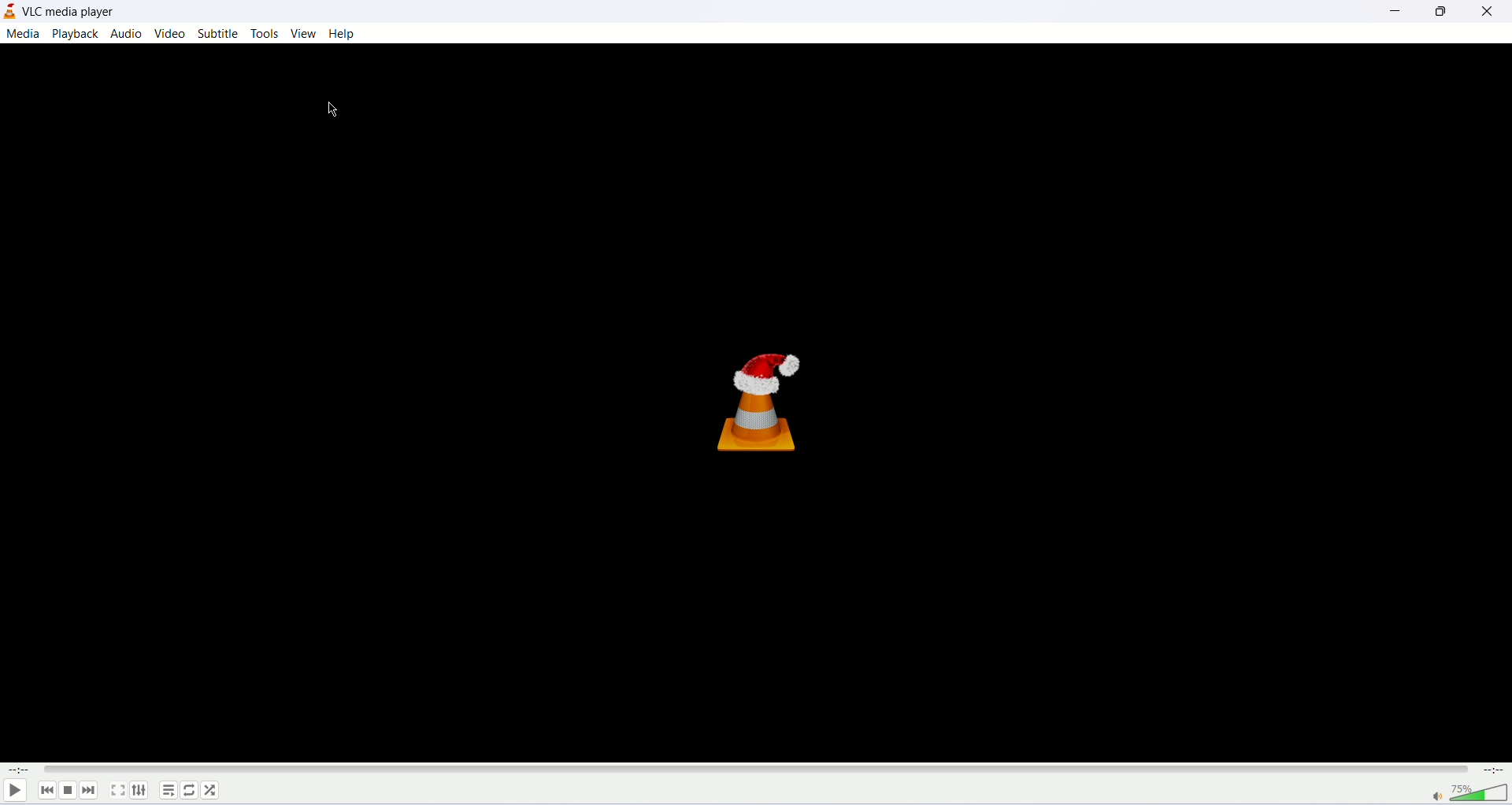  What do you see at coordinates (67, 790) in the screenshot?
I see `stop` at bounding box center [67, 790].